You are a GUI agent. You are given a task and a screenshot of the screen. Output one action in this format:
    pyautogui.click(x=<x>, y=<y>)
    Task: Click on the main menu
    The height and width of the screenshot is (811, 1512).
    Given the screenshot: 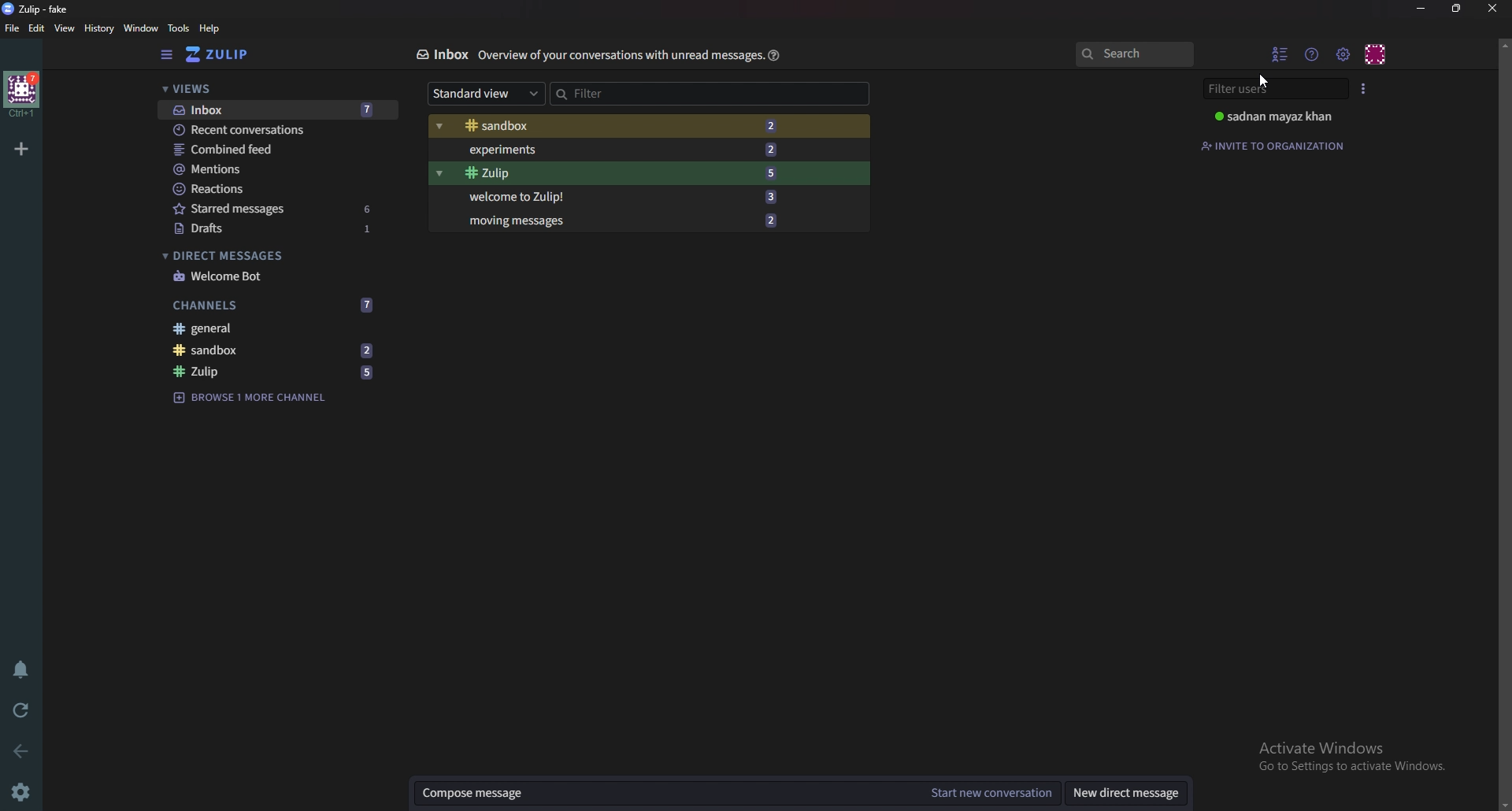 What is the action you would take?
    pyautogui.click(x=1343, y=54)
    